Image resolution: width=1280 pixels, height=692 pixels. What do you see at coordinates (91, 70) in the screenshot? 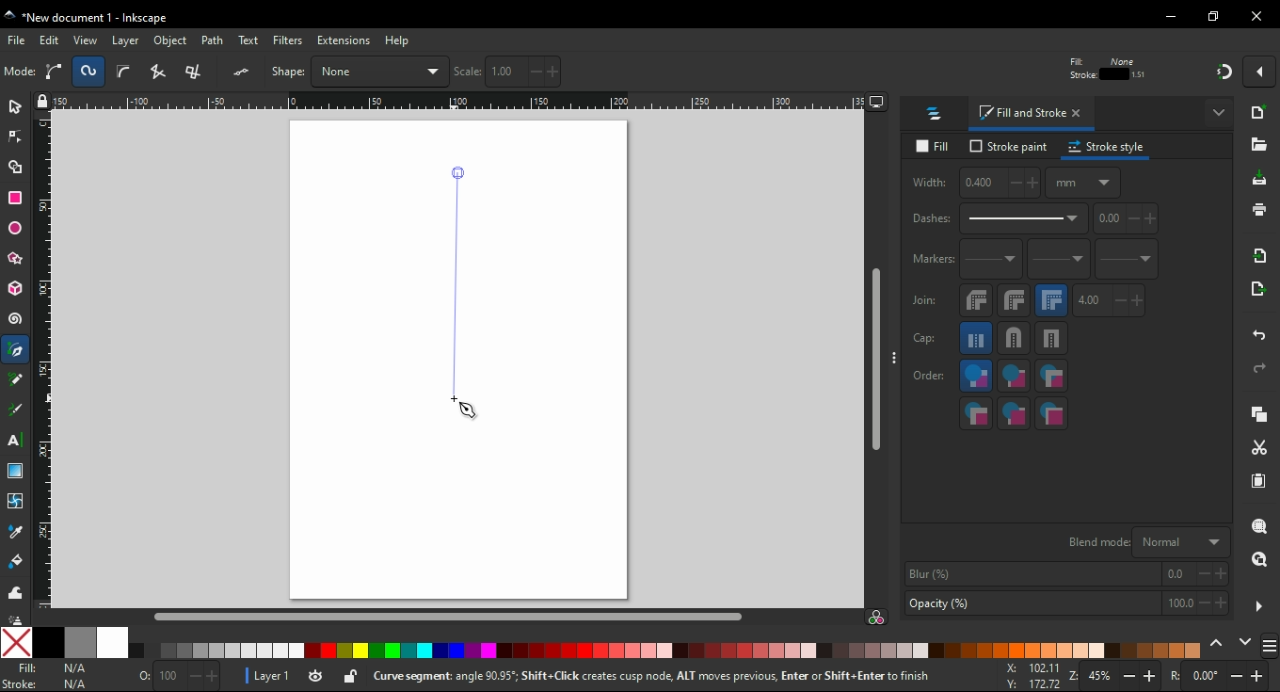
I see `deselect` at bounding box center [91, 70].